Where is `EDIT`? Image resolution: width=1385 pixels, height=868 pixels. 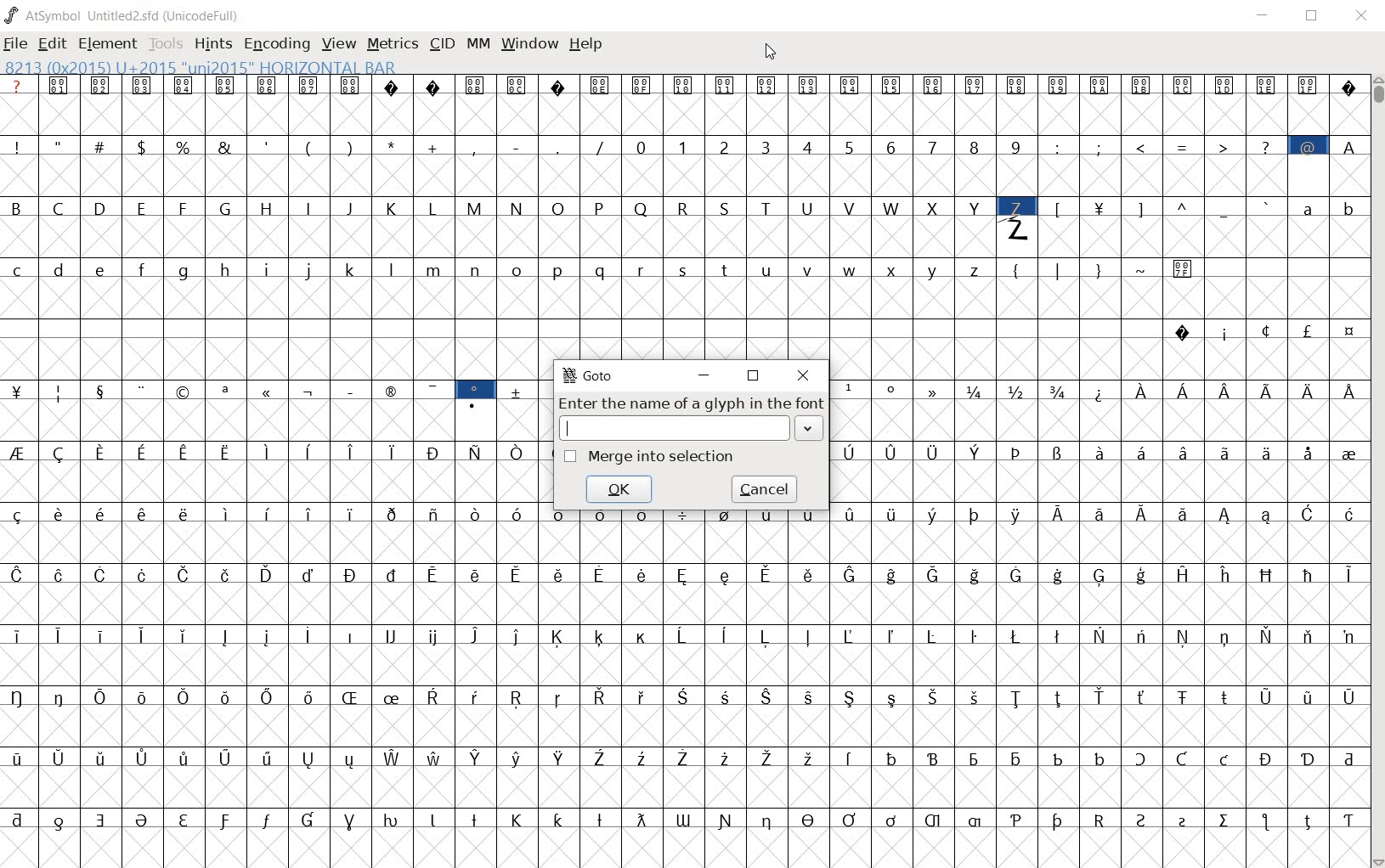
EDIT is located at coordinates (52, 43).